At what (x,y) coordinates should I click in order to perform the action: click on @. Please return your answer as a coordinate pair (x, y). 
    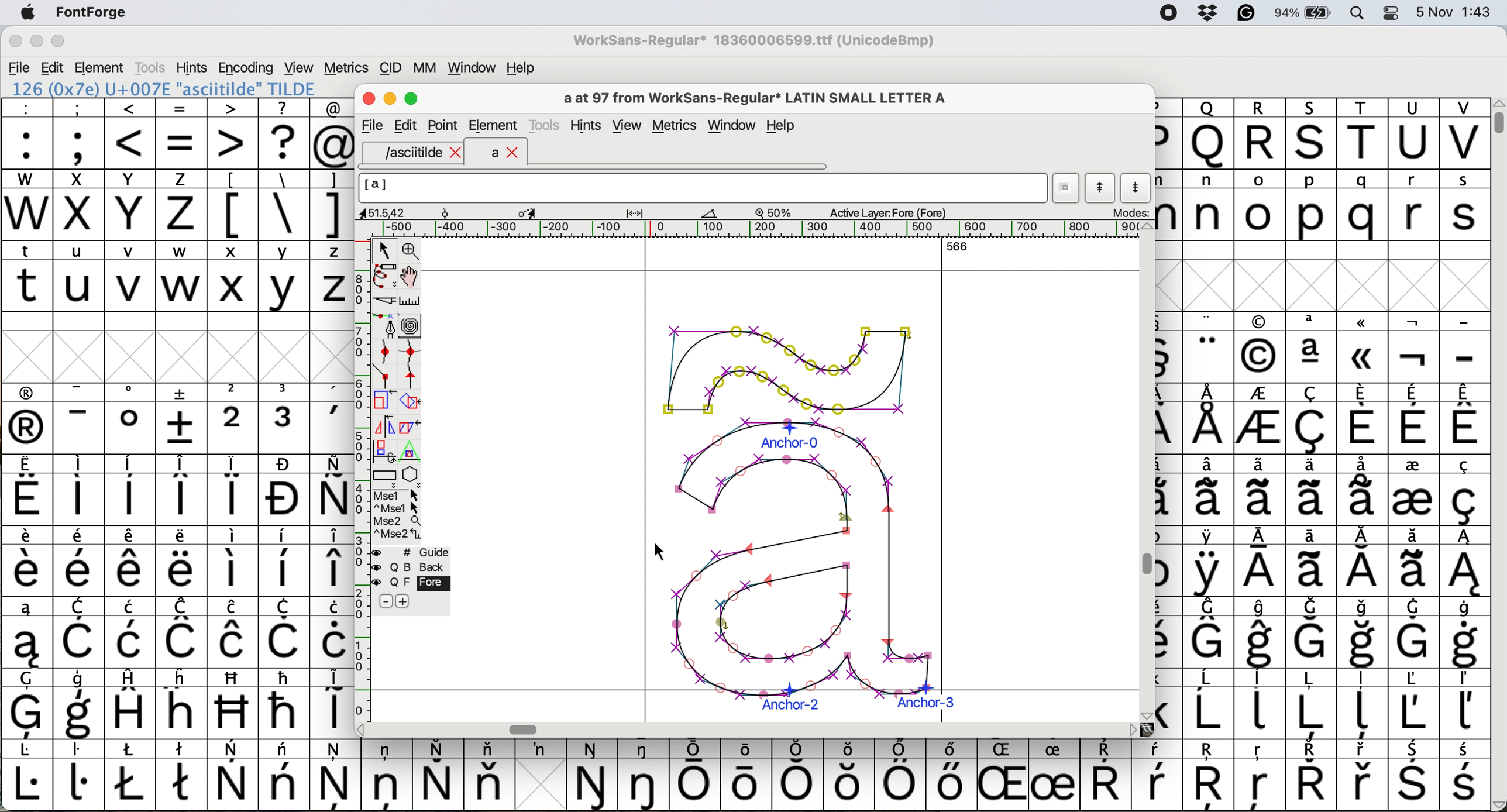
    Looking at the image, I should click on (333, 134).